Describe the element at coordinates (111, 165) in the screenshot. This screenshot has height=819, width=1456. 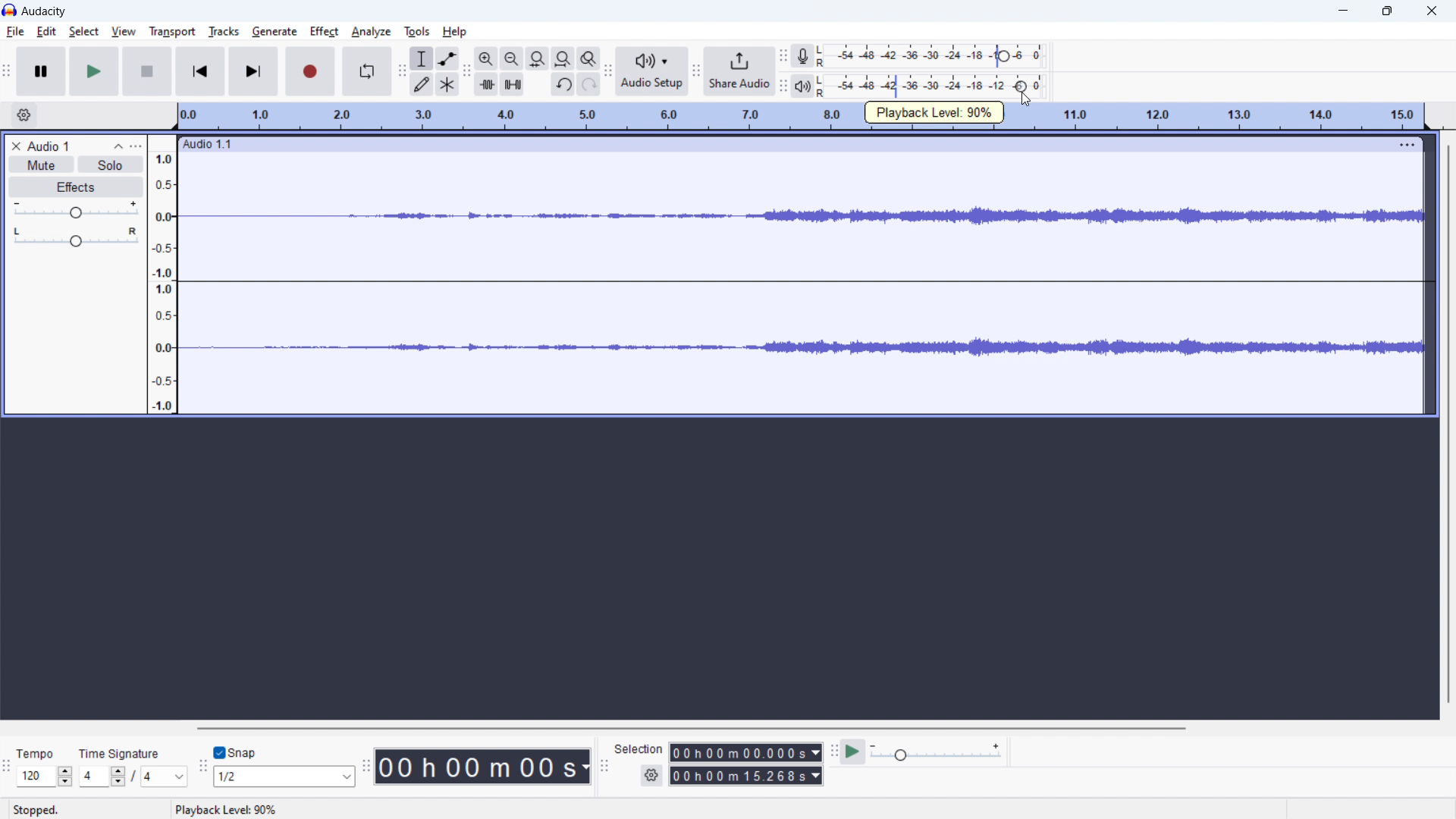
I see `solo` at that location.